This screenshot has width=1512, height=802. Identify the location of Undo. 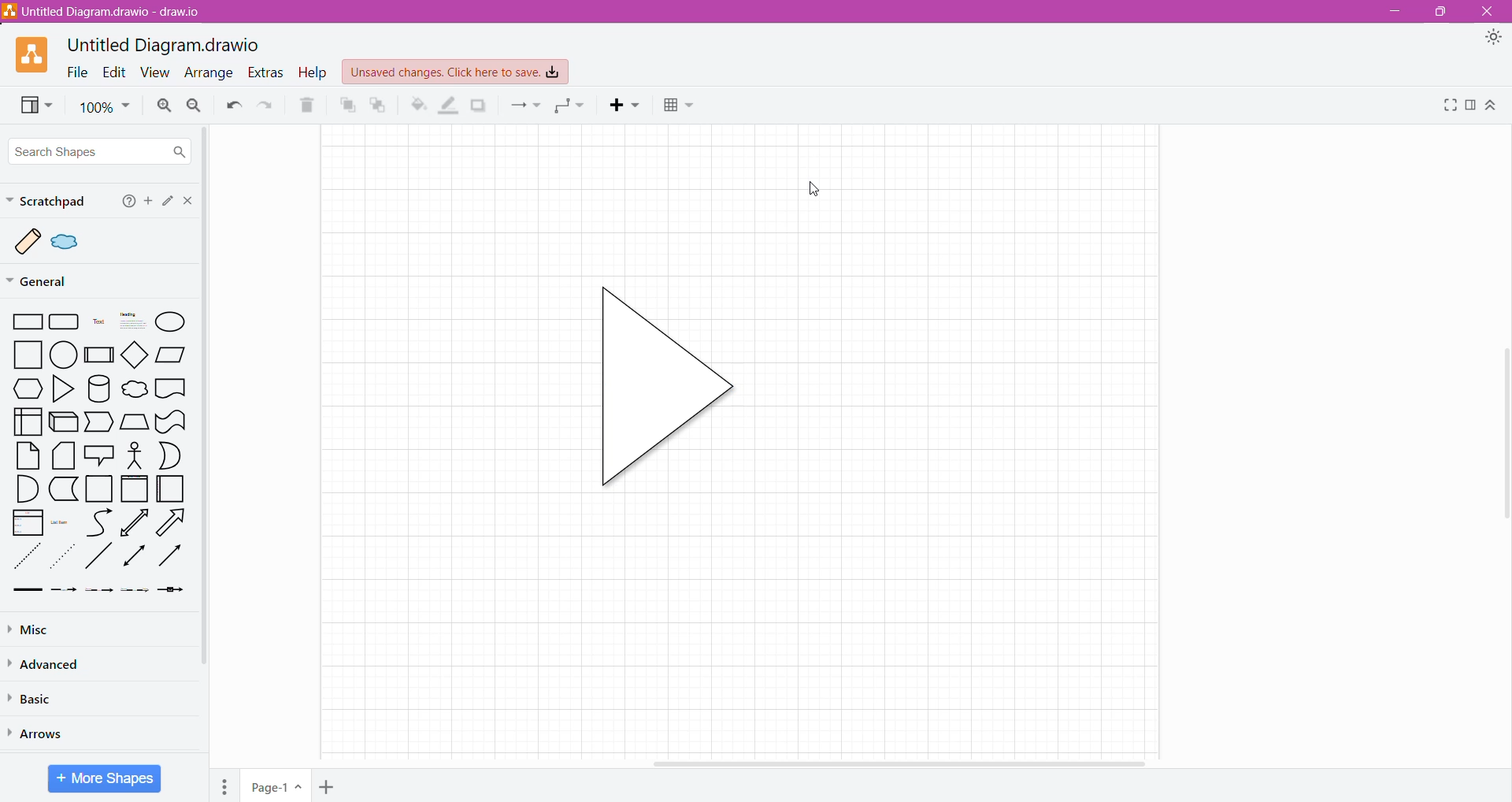
(229, 106).